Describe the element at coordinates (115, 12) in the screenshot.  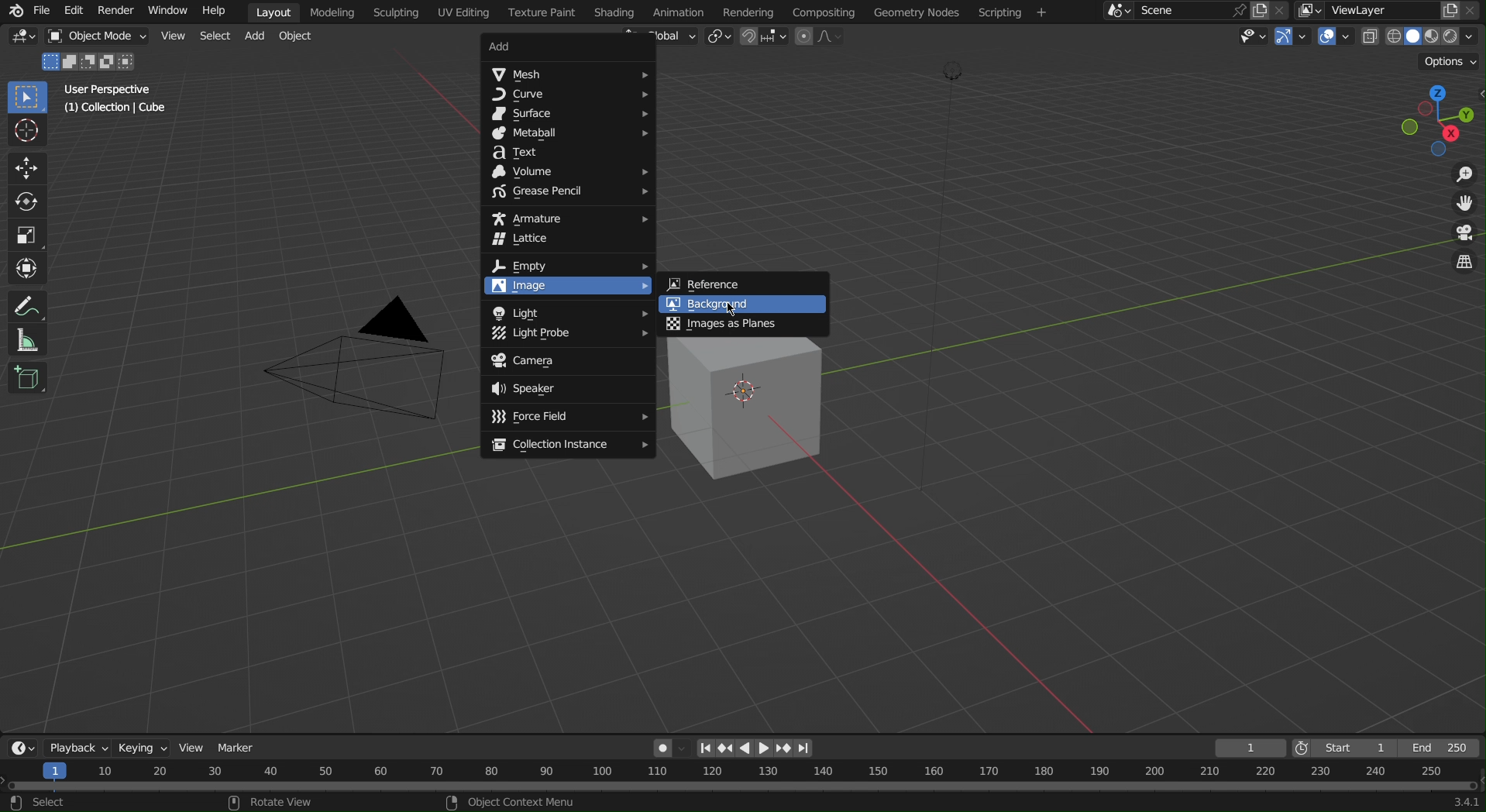
I see `Render` at that location.